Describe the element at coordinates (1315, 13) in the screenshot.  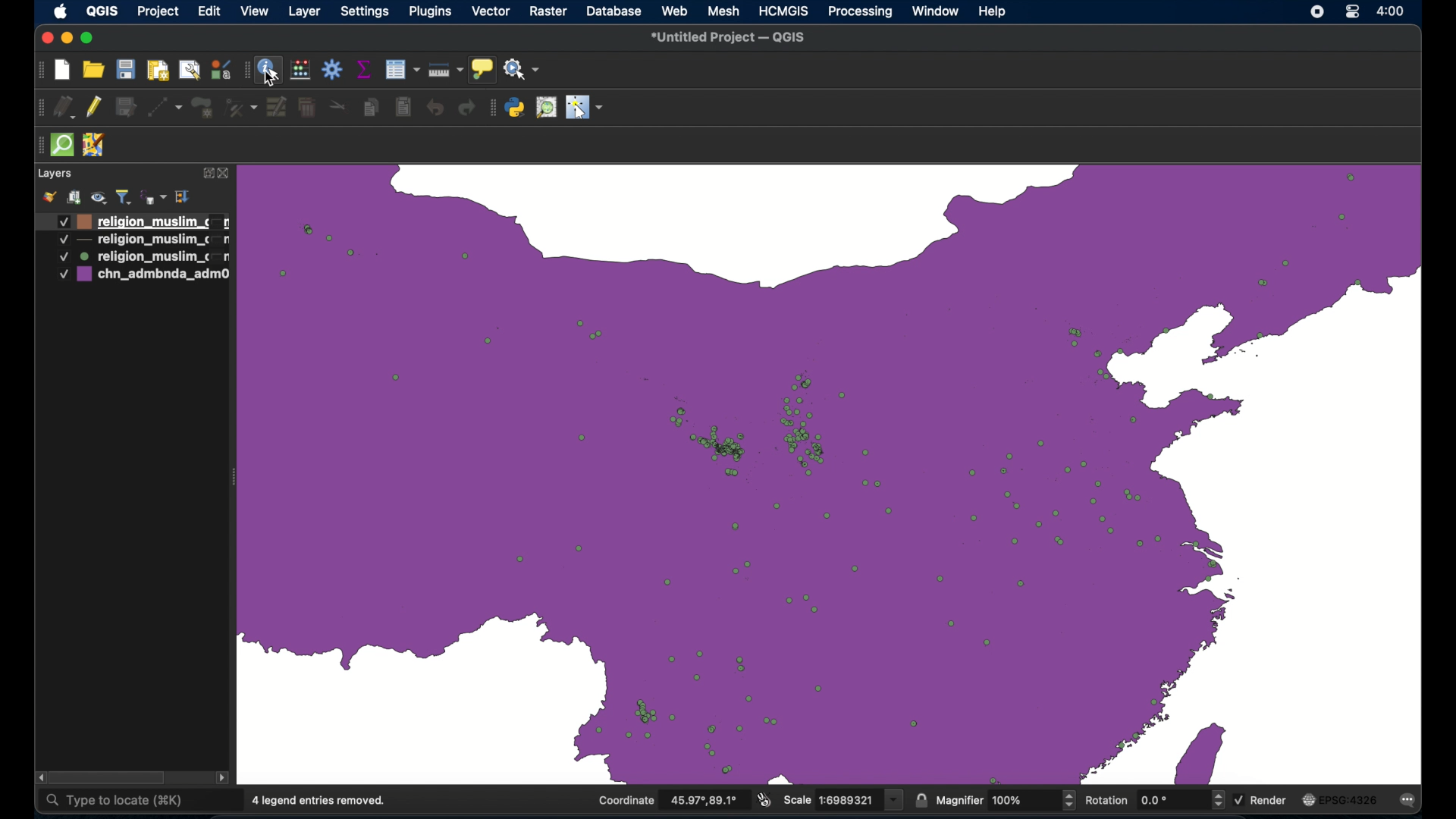
I see `screen recorder icon` at that location.